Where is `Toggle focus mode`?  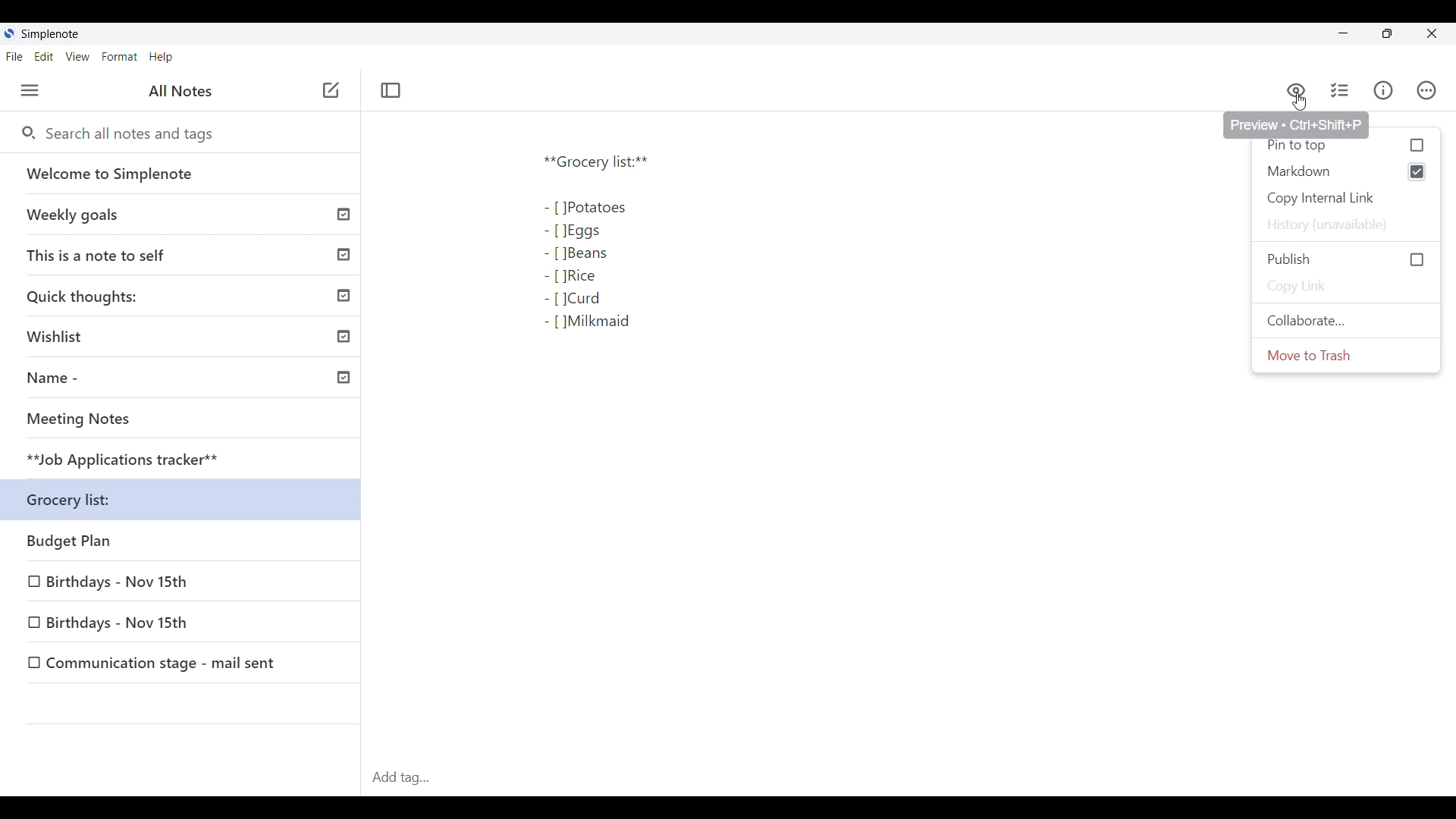 Toggle focus mode is located at coordinates (391, 90).